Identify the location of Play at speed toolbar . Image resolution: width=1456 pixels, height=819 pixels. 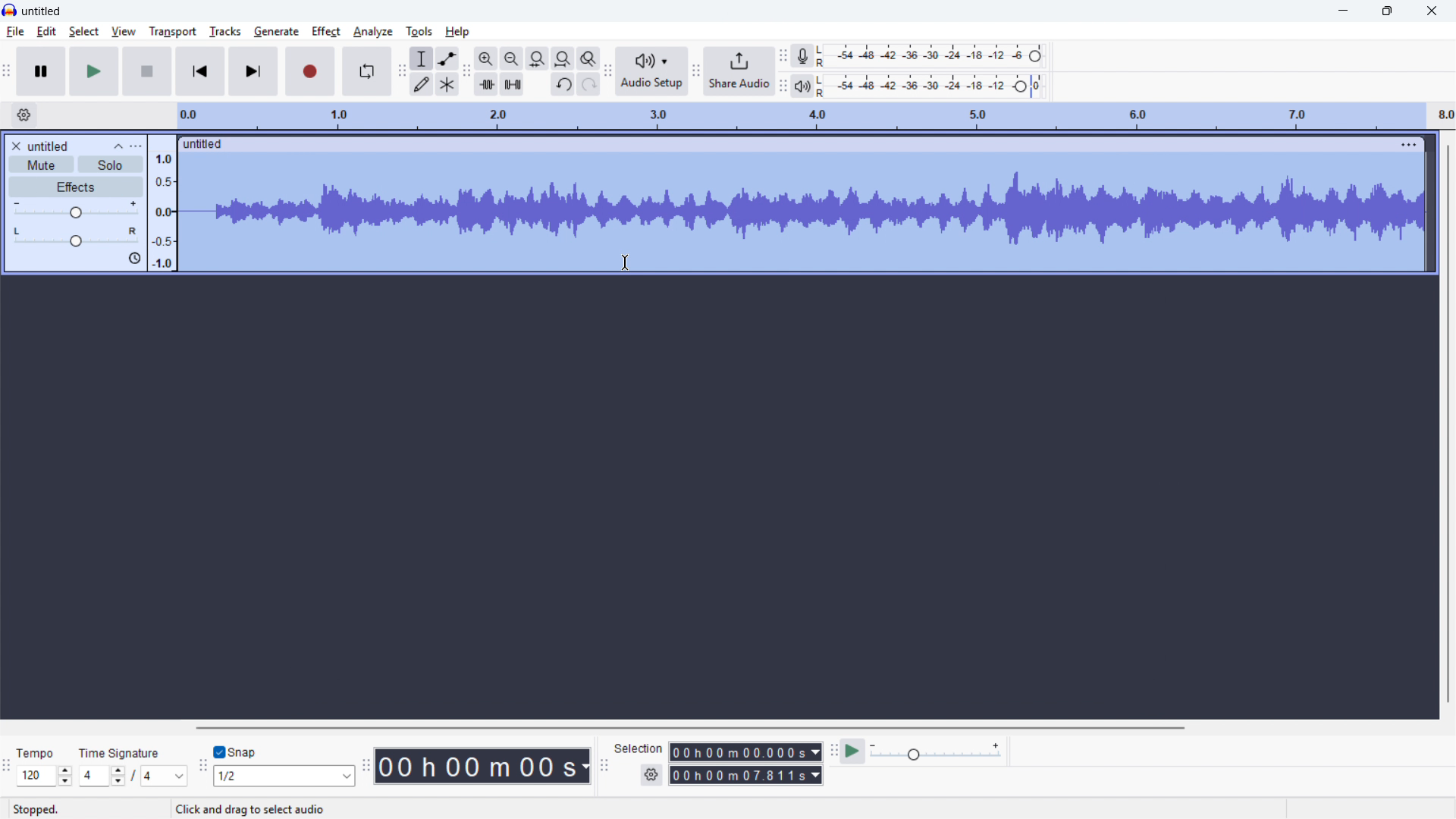
(831, 751).